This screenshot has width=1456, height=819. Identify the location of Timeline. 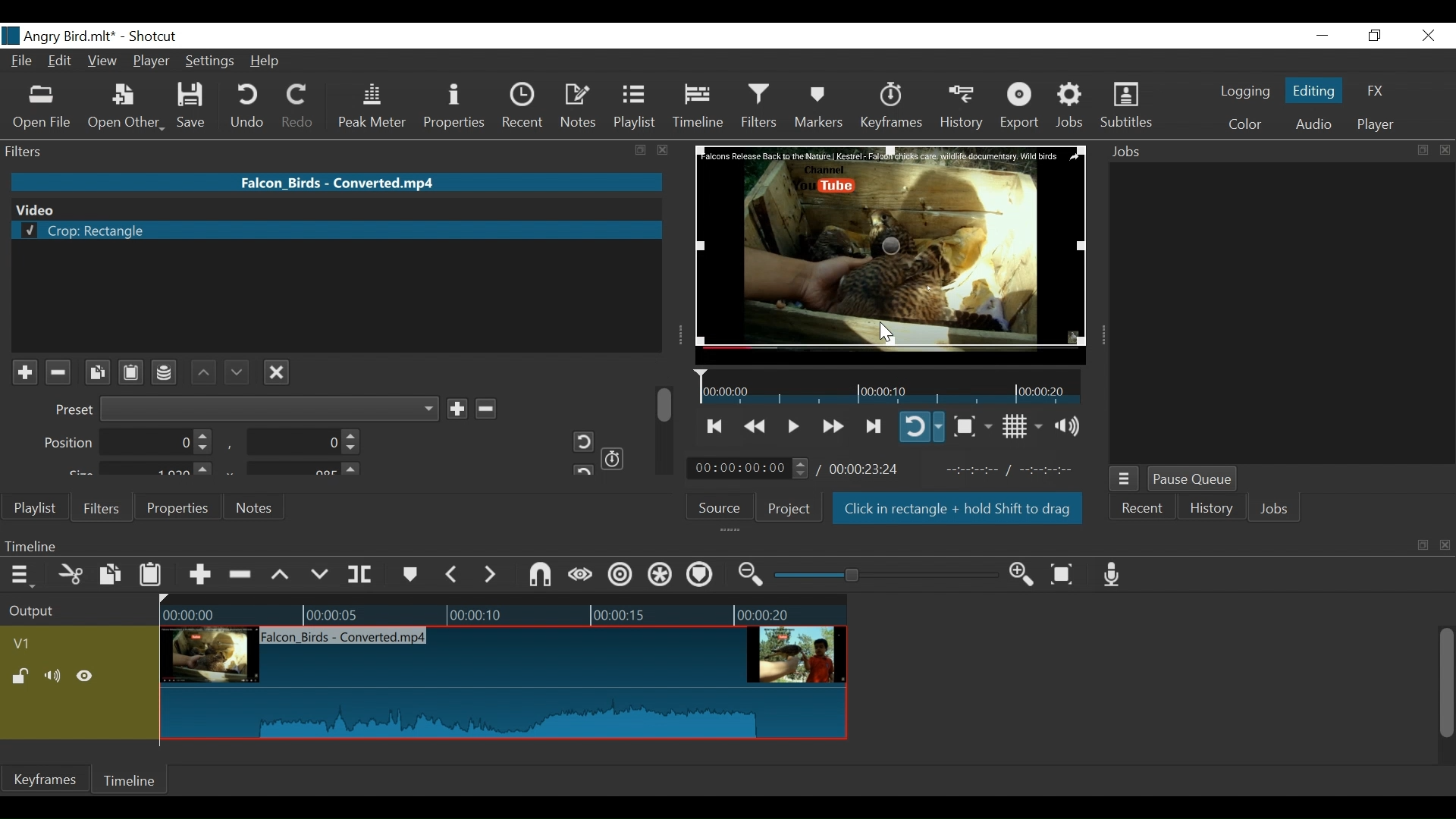
(699, 106).